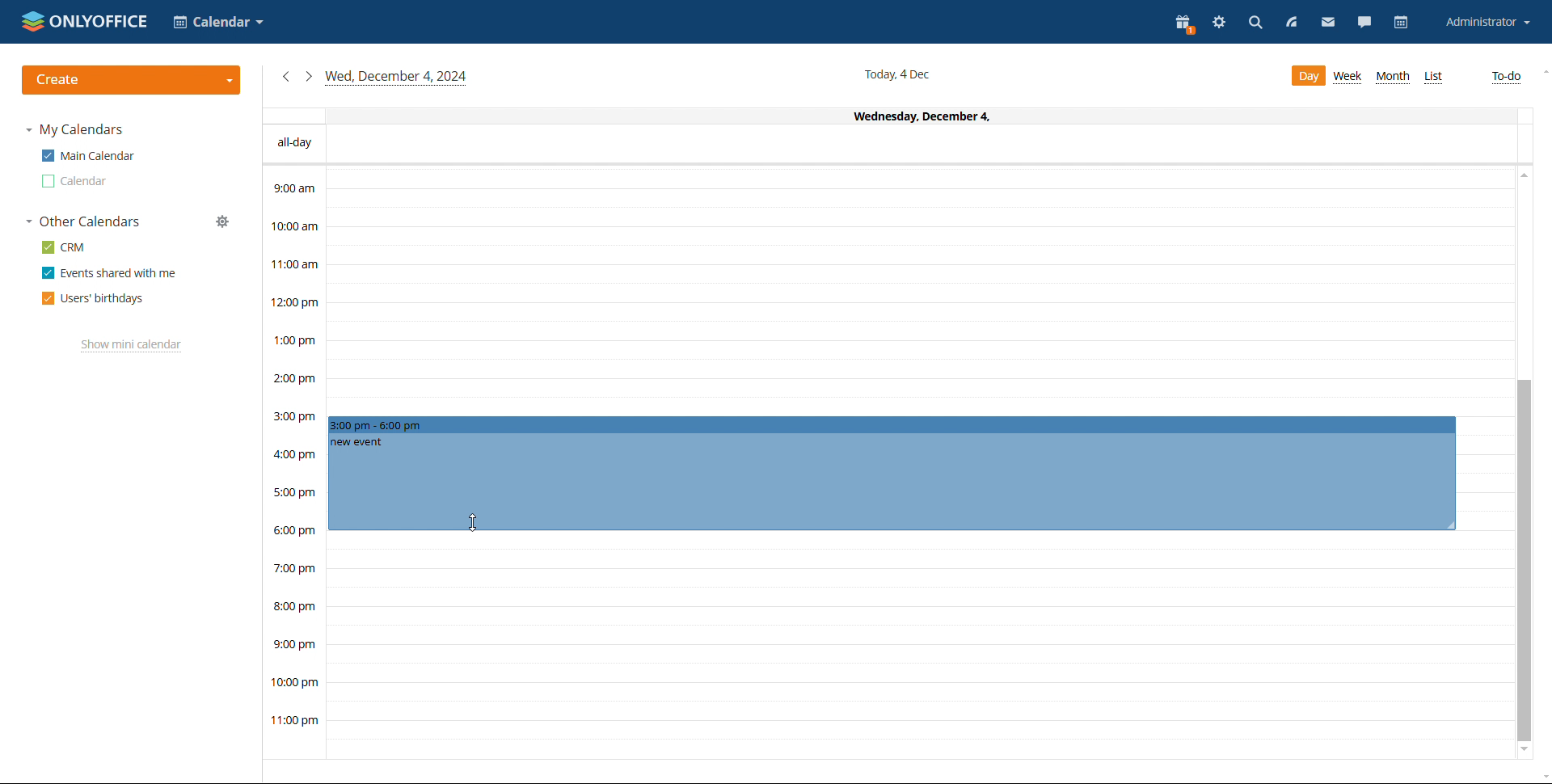 Image resolution: width=1552 pixels, height=784 pixels. Describe the element at coordinates (75, 181) in the screenshot. I see `calendar` at that location.